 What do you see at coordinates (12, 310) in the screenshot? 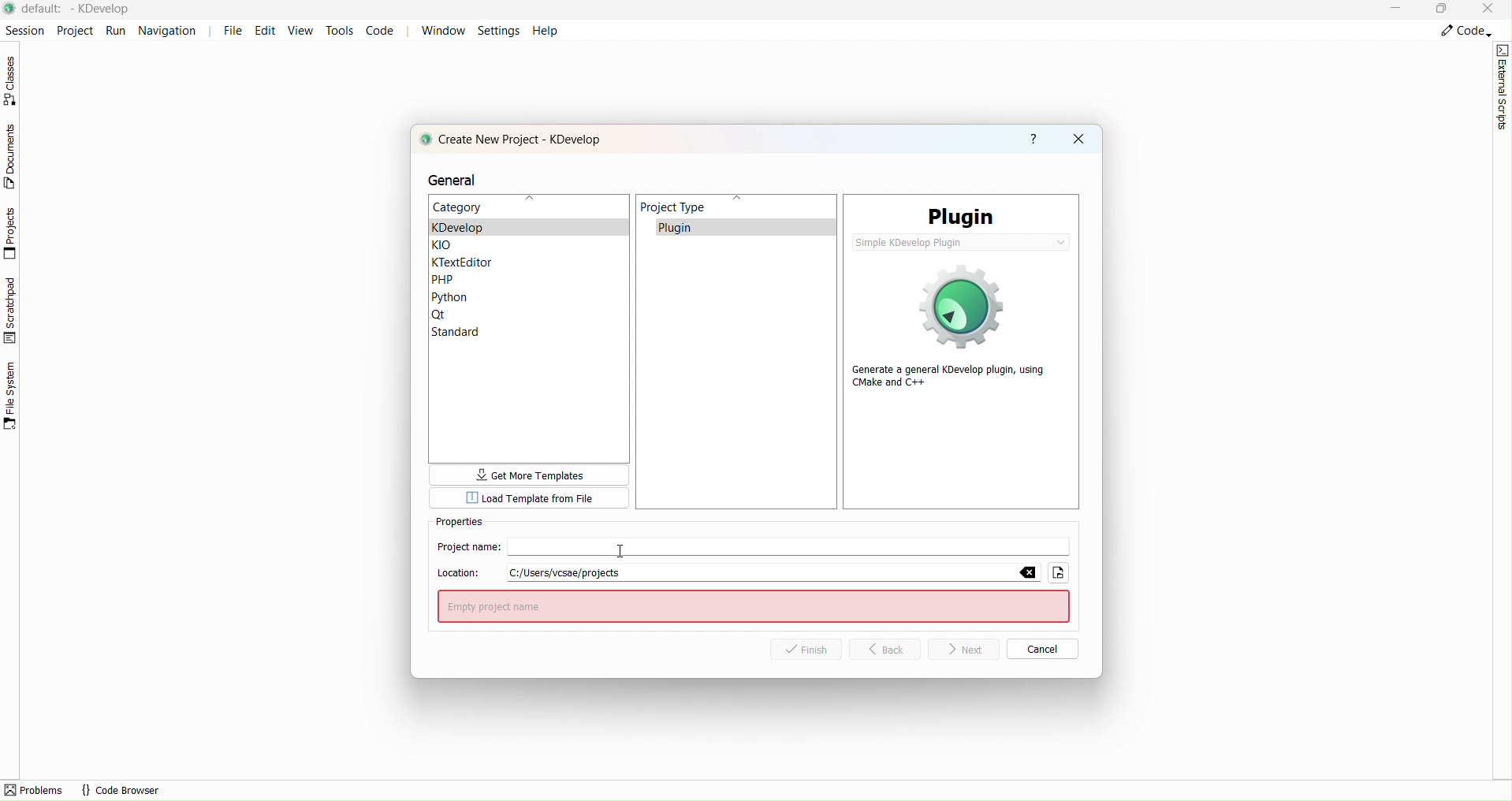
I see `Scratchpad` at bounding box center [12, 310].